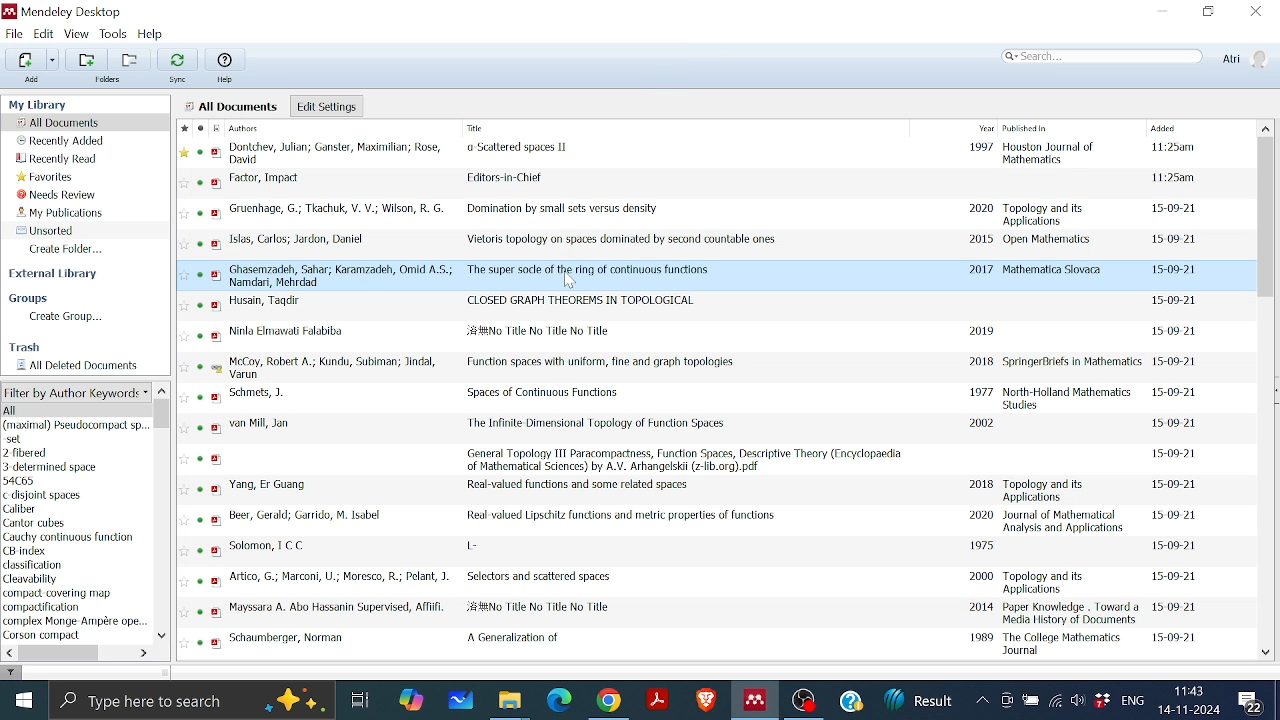 Image resolution: width=1280 pixels, height=720 pixels. What do you see at coordinates (63, 318) in the screenshot?
I see `Create group` at bounding box center [63, 318].